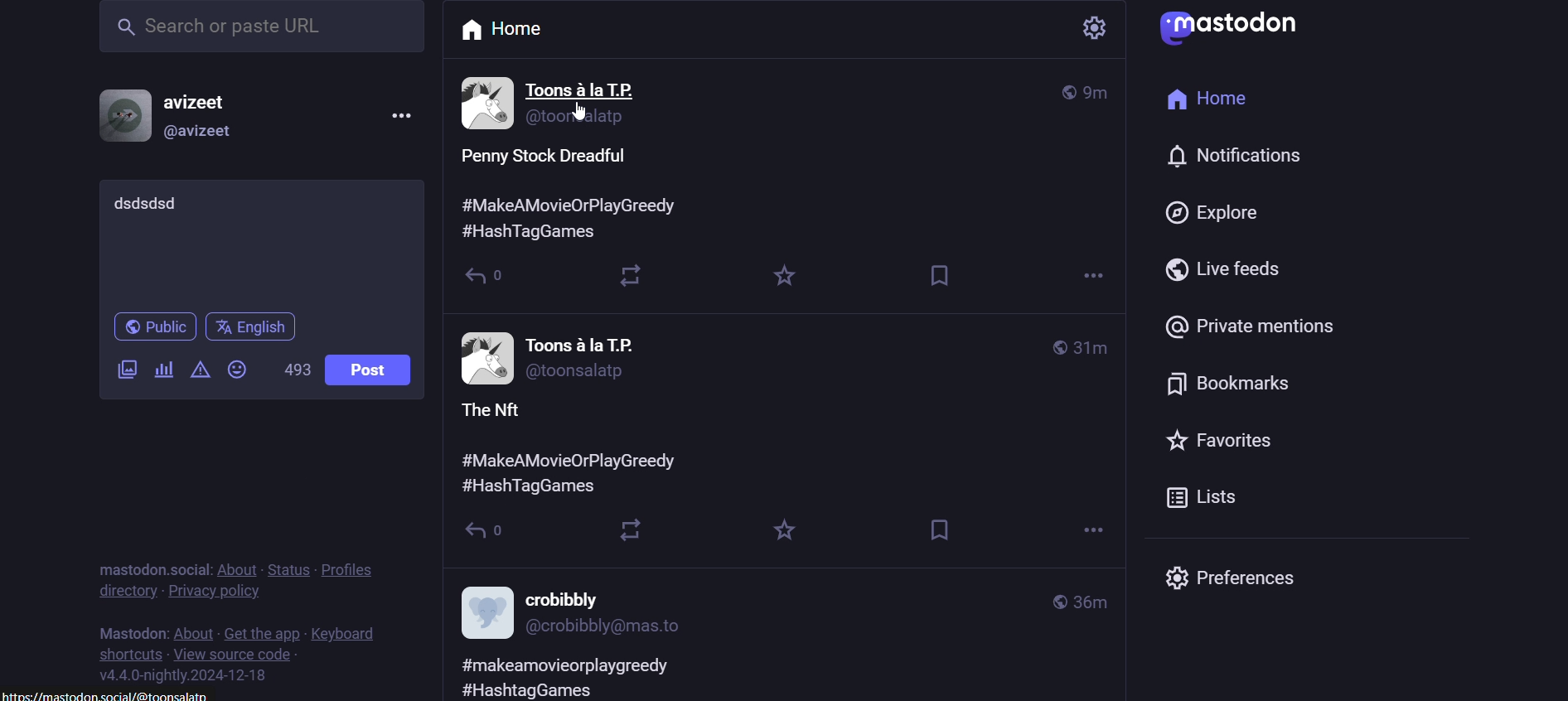 This screenshot has height=701, width=1568. What do you see at coordinates (1094, 274) in the screenshot?
I see `more` at bounding box center [1094, 274].